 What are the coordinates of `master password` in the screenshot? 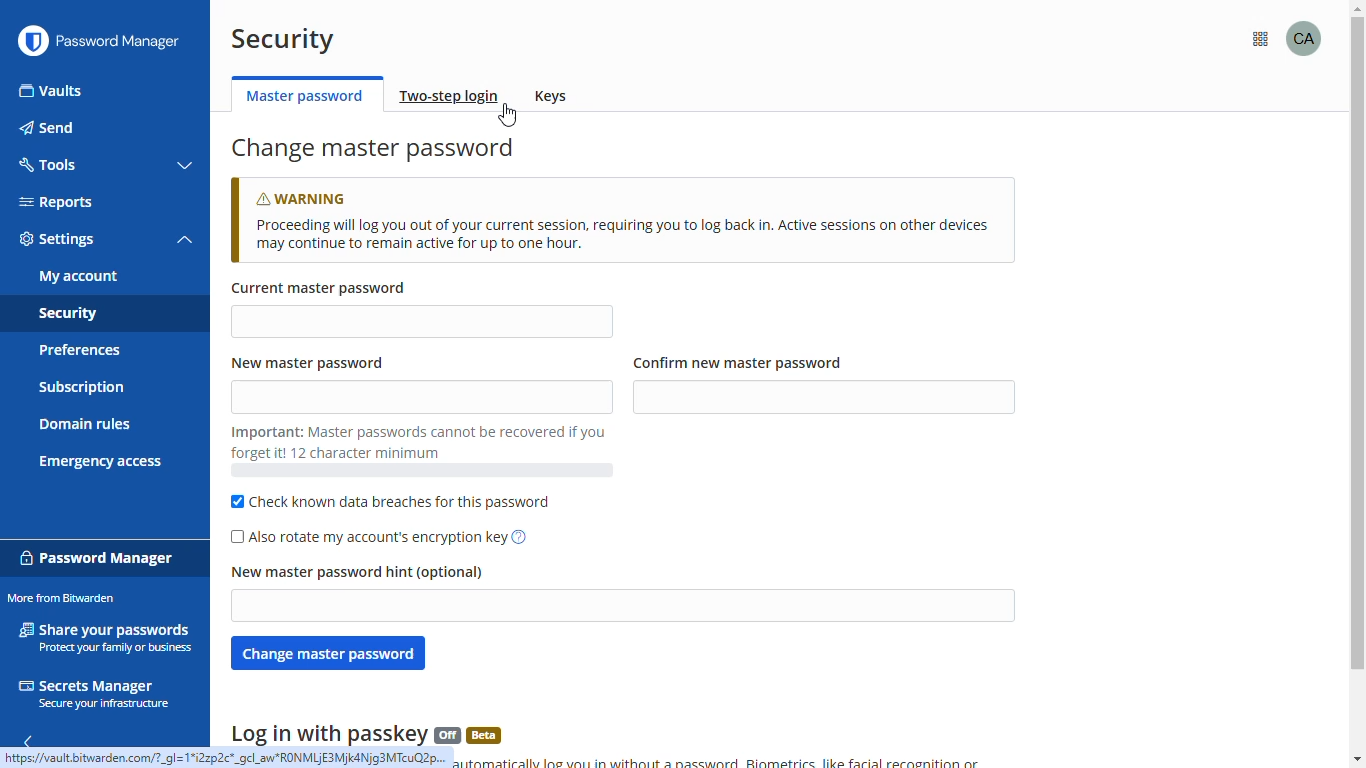 It's located at (306, 97).